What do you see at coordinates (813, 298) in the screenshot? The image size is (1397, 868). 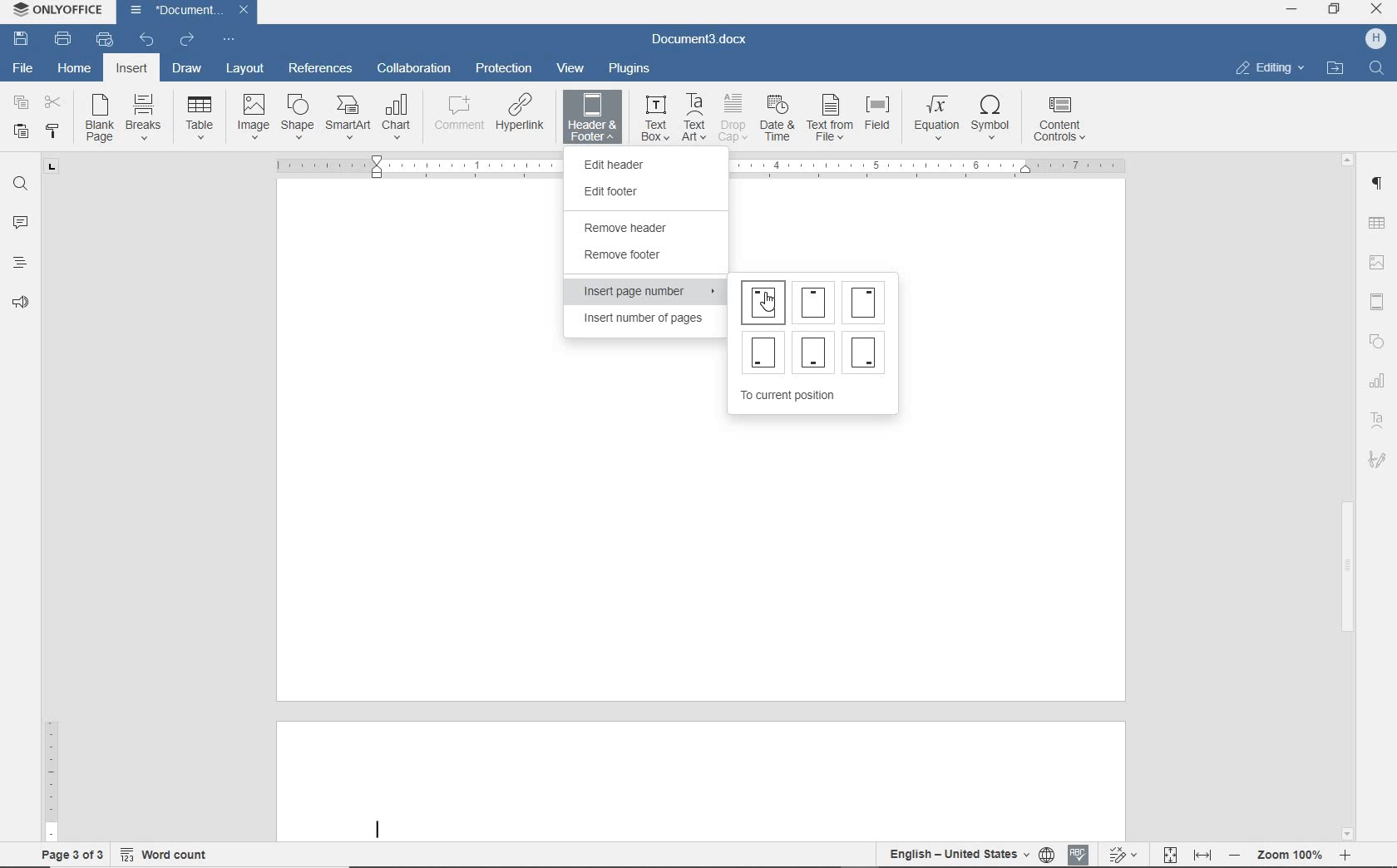 I see `Page number at top center` at bounding box center [813, 298].